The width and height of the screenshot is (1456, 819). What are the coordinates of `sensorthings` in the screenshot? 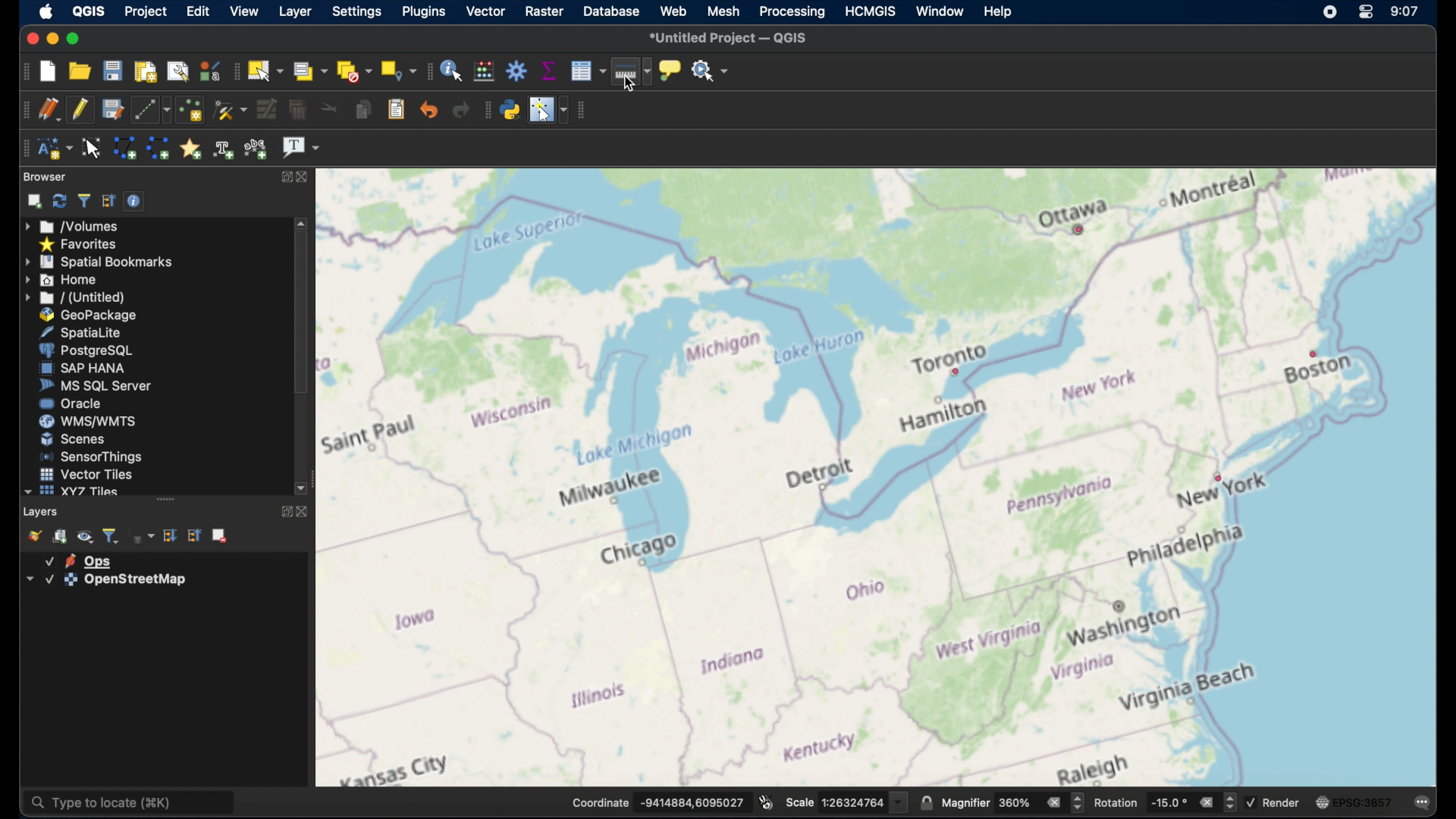 It's located at (92, 457).